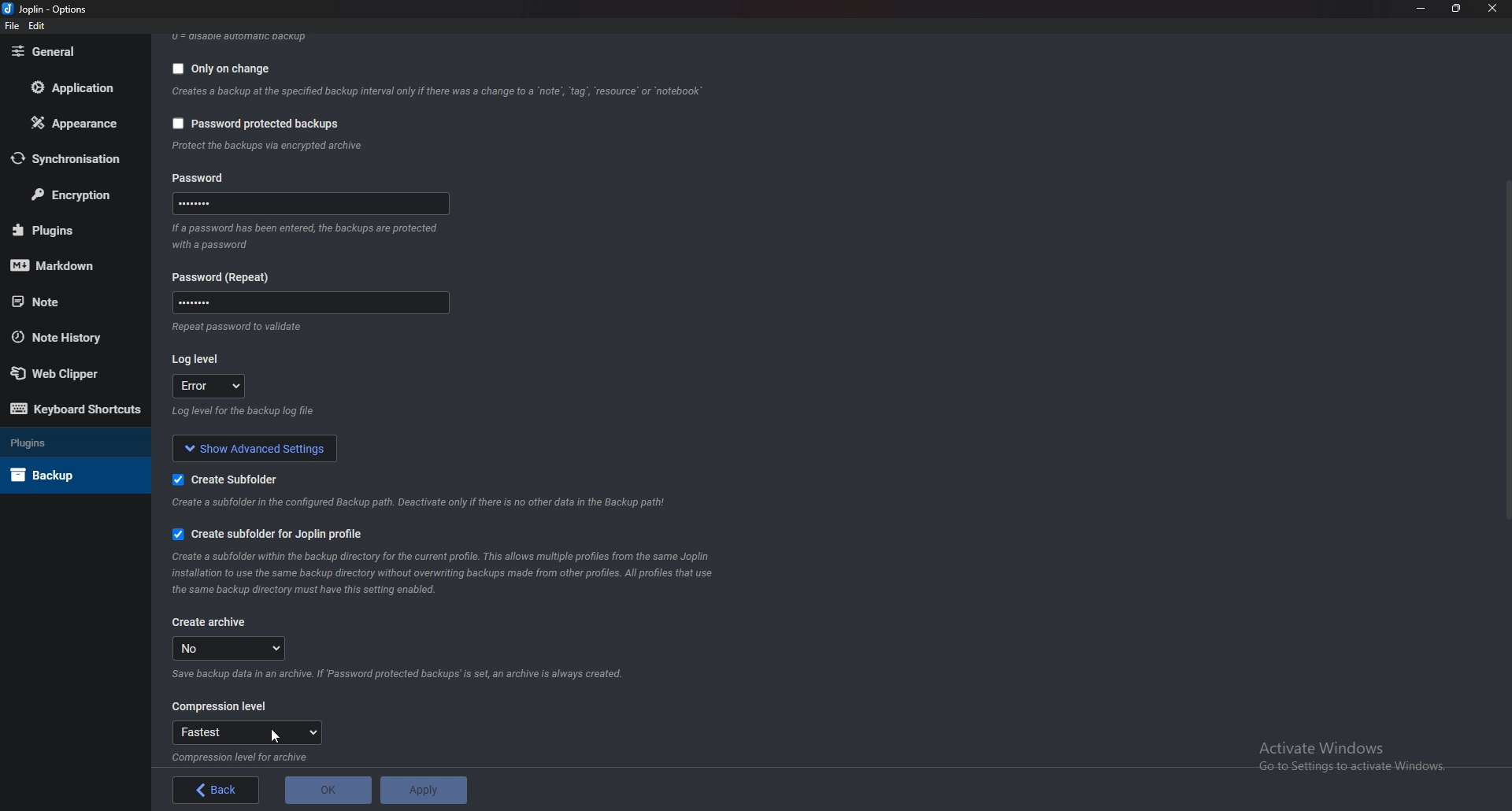 The width and height of the screenshot is (1512, 811). What do you see at coordinates (402, 674) in the screenshot?
I see `Info on archive` at bounding box center [402, 674].